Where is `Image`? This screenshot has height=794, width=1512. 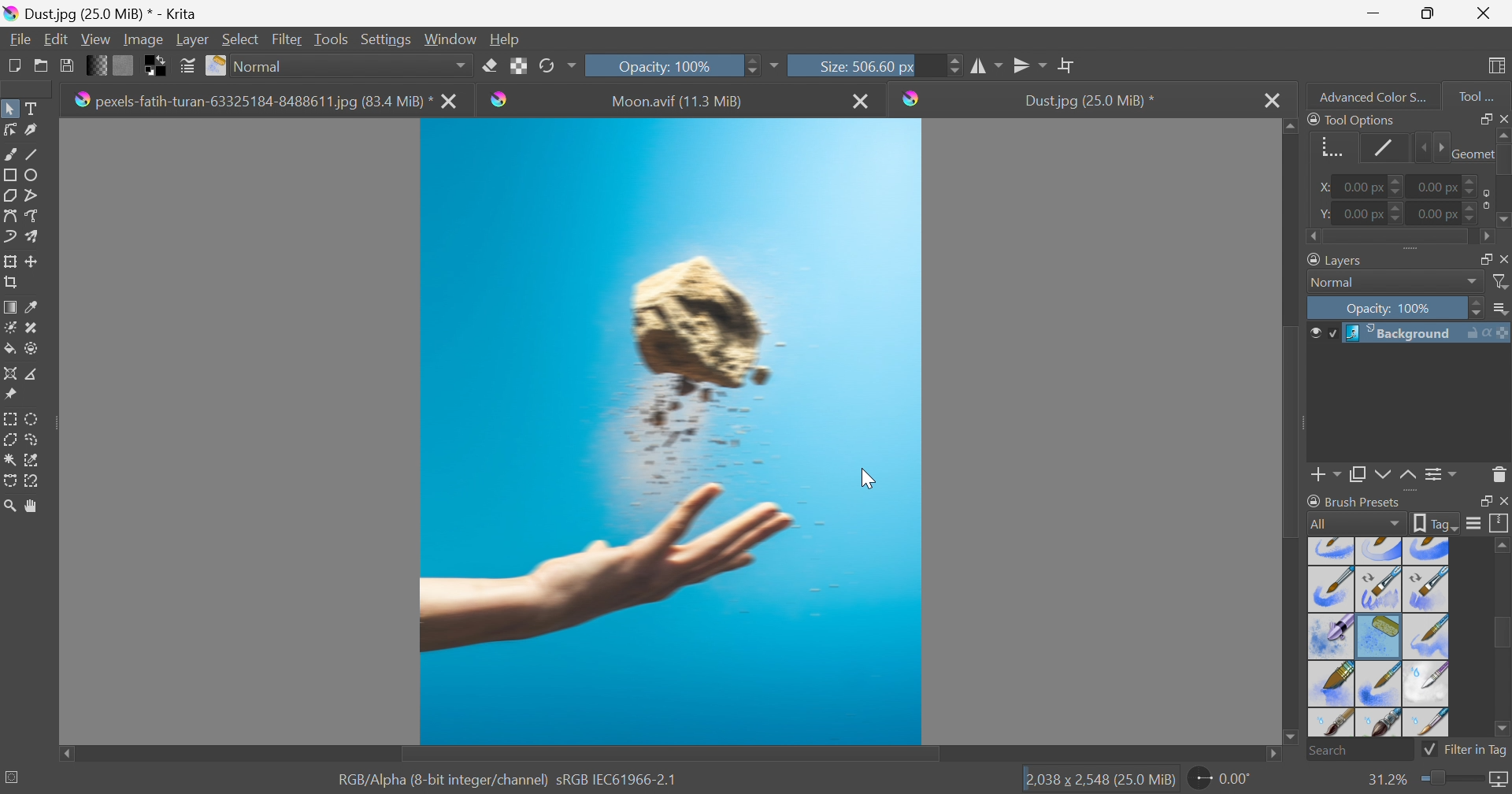
Image is located at coordinates (142, 39).